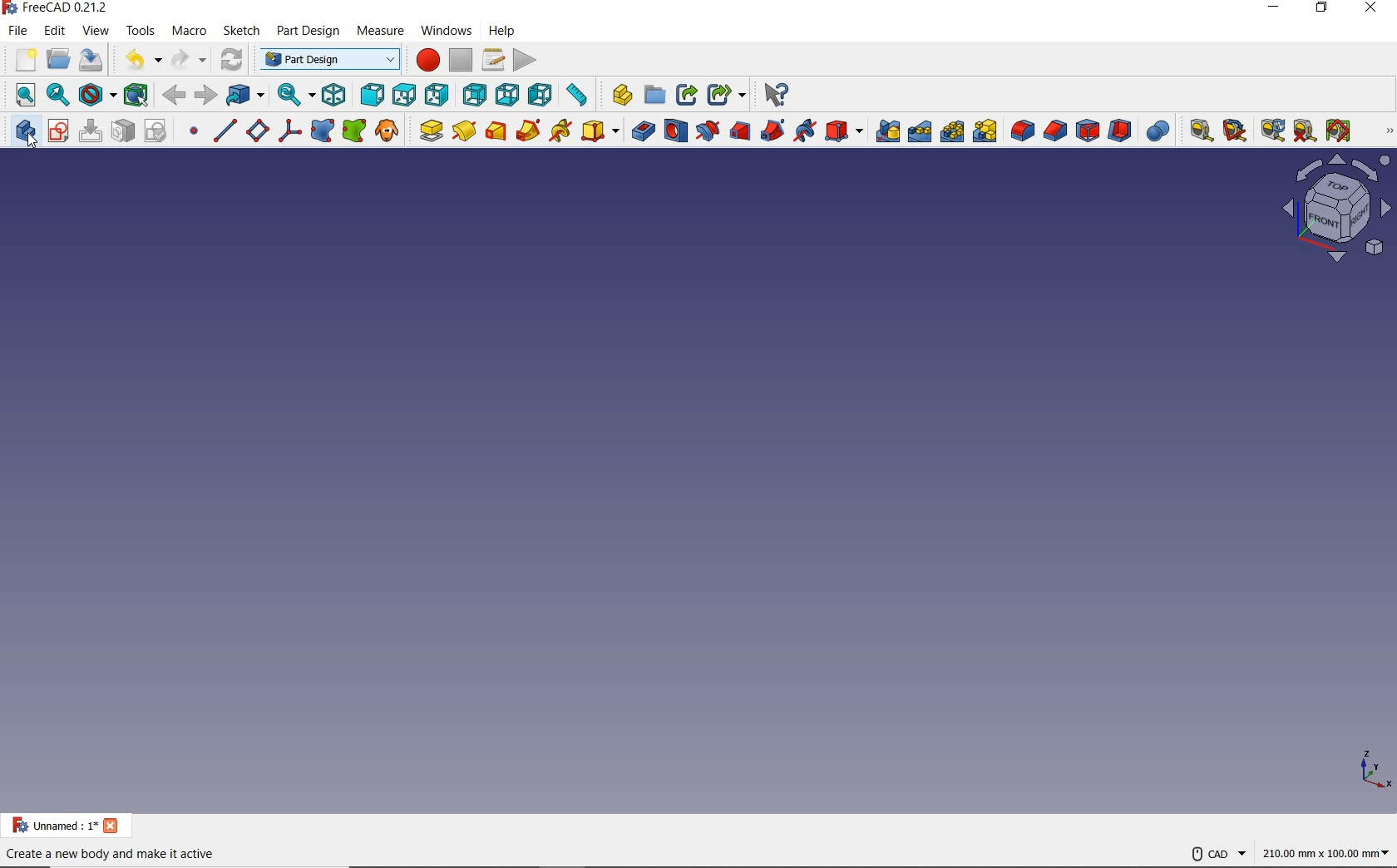 The height and width of the screenshot is (868, 1397). Describe the element at coordinates (845, 130) in the screenshot. I see `CREATE A SUBTRACTIVE PRIMITIVE` at that location.